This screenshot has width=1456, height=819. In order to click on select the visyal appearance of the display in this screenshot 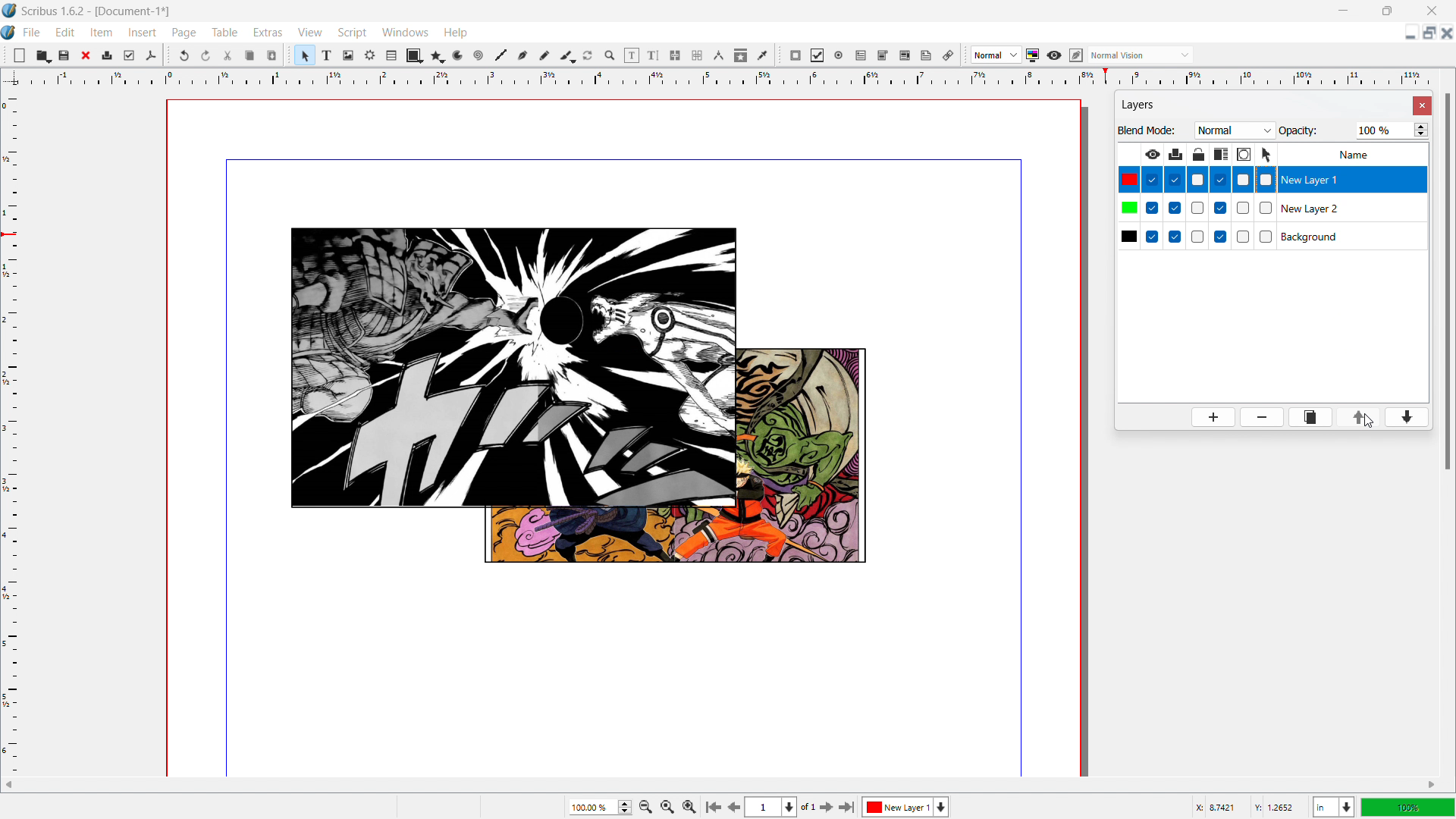, I will do `click(1141, 55)`.